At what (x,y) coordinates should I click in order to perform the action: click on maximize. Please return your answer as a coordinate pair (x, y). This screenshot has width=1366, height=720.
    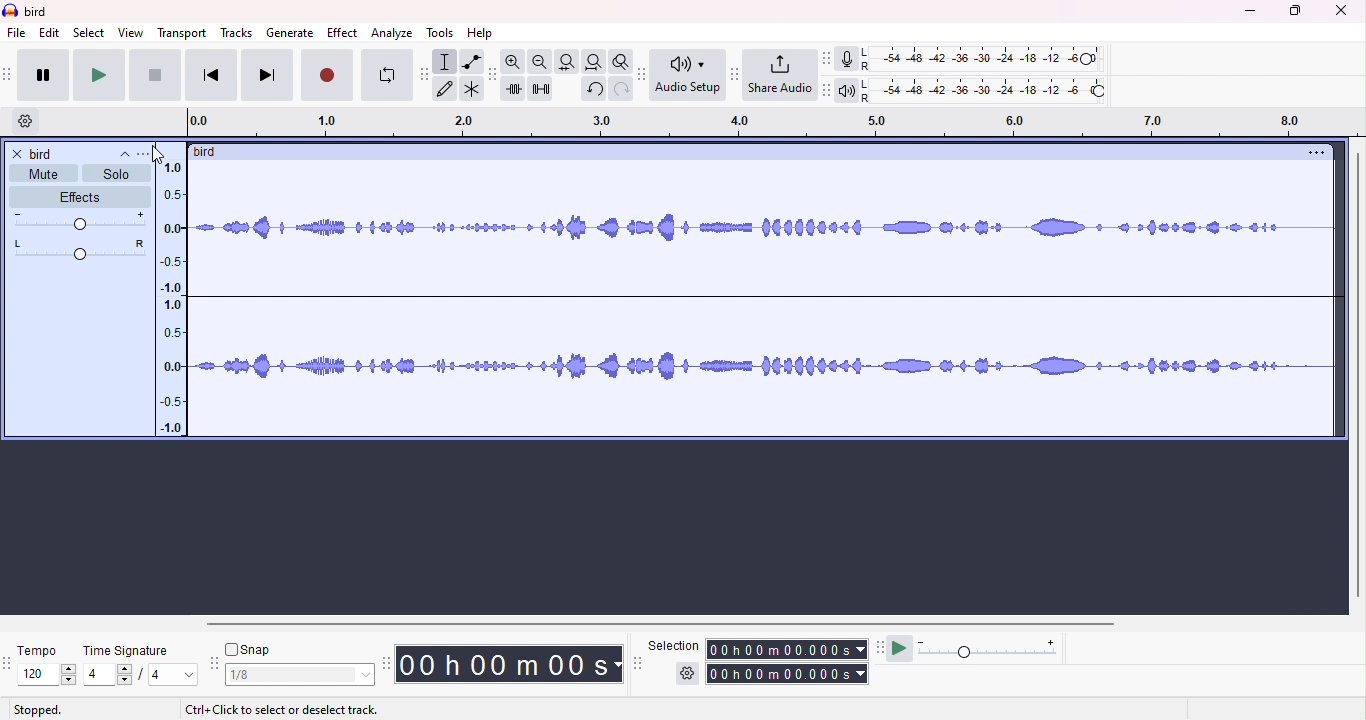
    Looking at the image, I should click on (1295, 11).